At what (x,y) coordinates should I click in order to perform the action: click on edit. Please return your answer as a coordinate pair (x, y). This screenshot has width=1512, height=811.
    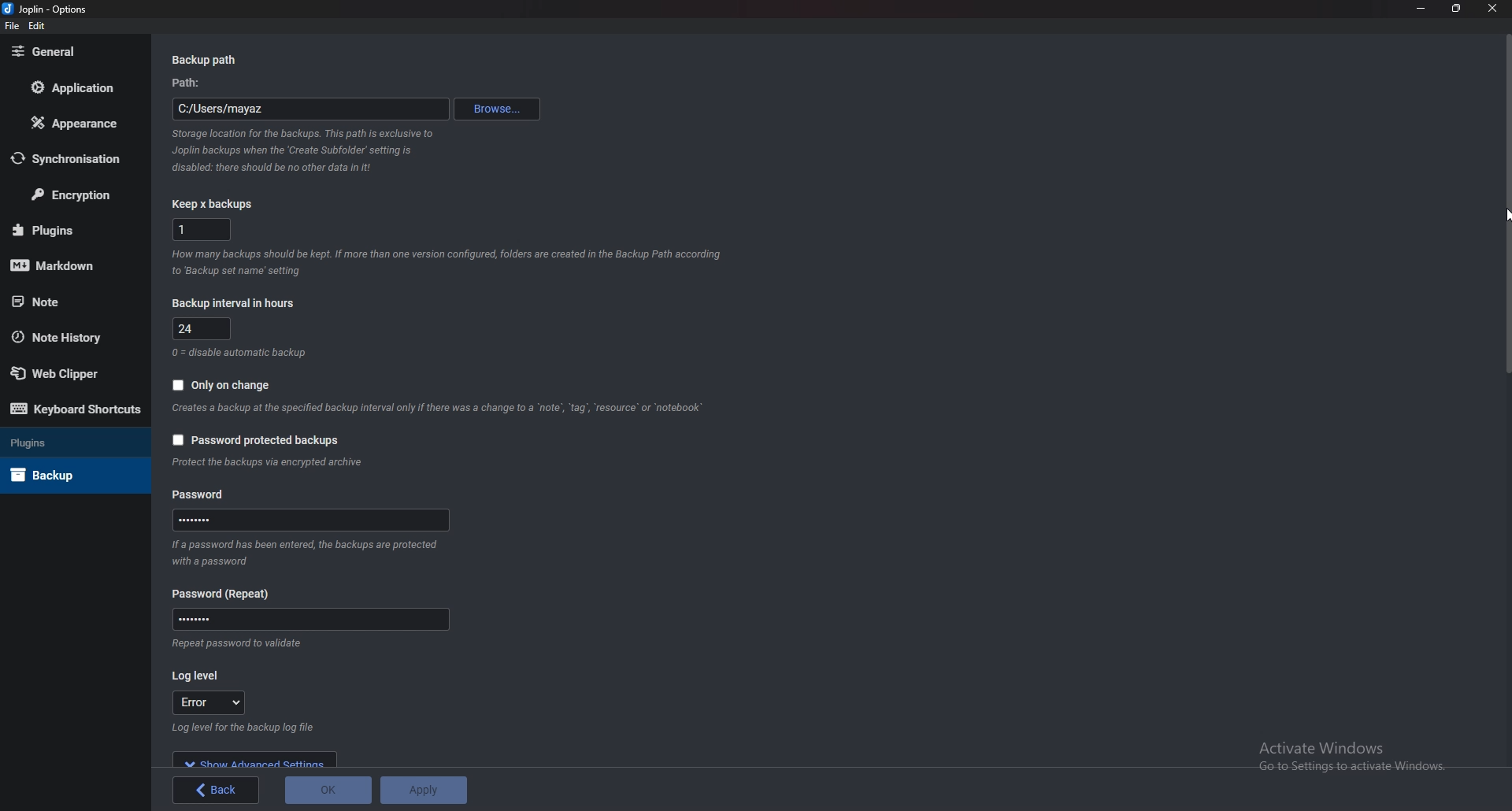
    Looking at the image, I should click on (39, 26).